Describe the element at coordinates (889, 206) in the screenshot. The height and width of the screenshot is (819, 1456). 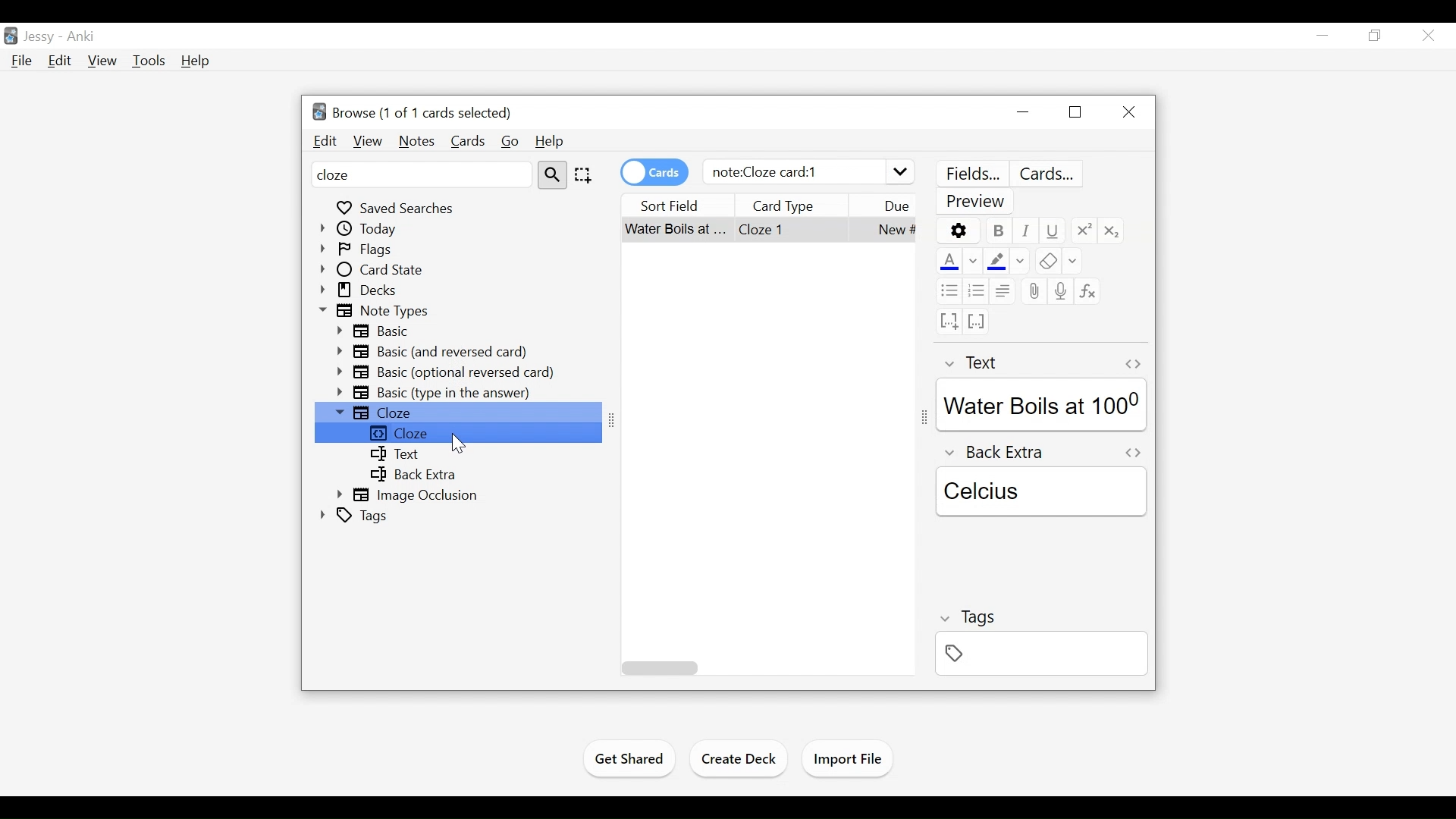
I see `Due ` at that location.